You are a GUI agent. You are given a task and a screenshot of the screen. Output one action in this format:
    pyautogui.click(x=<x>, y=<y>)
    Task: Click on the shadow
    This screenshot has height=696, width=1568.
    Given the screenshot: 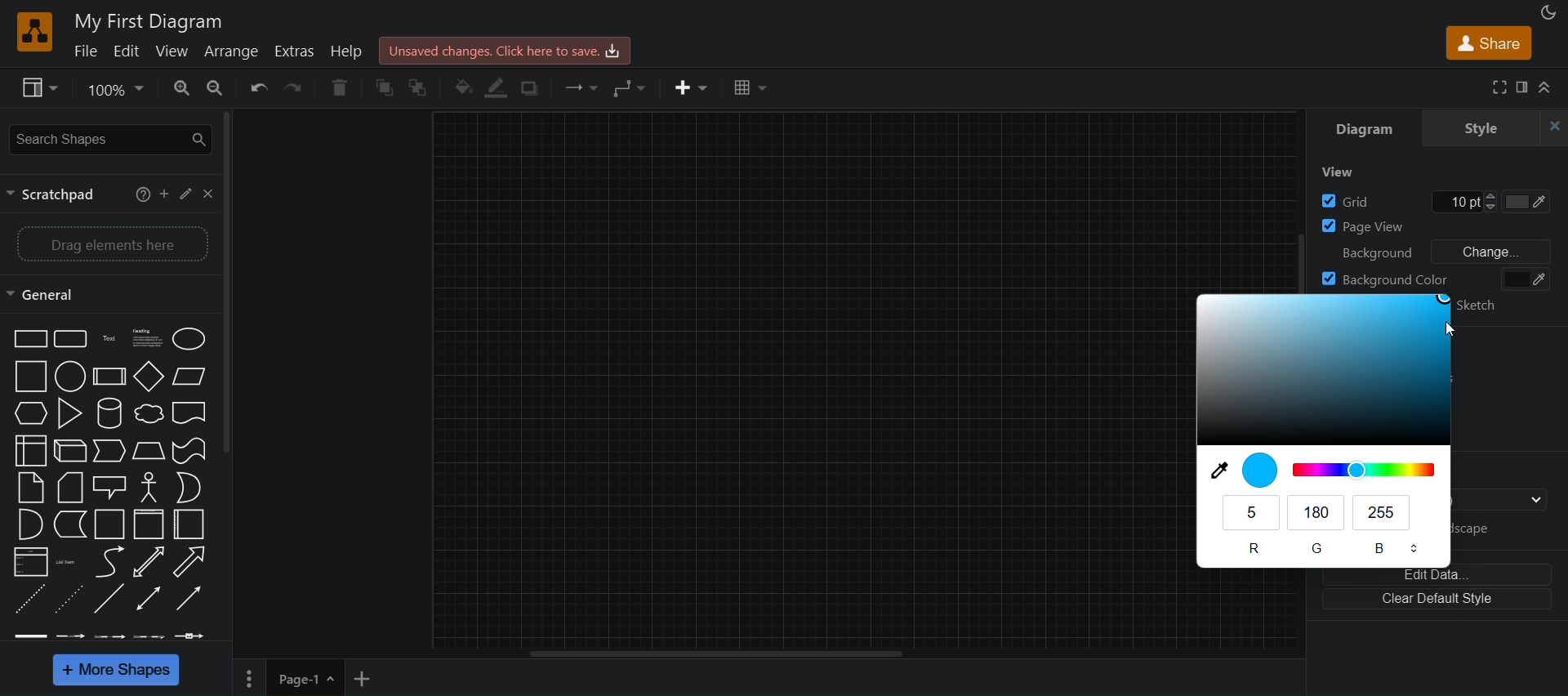 What is the action you would take?
    pyautogui.click(x=535, y=90)
    